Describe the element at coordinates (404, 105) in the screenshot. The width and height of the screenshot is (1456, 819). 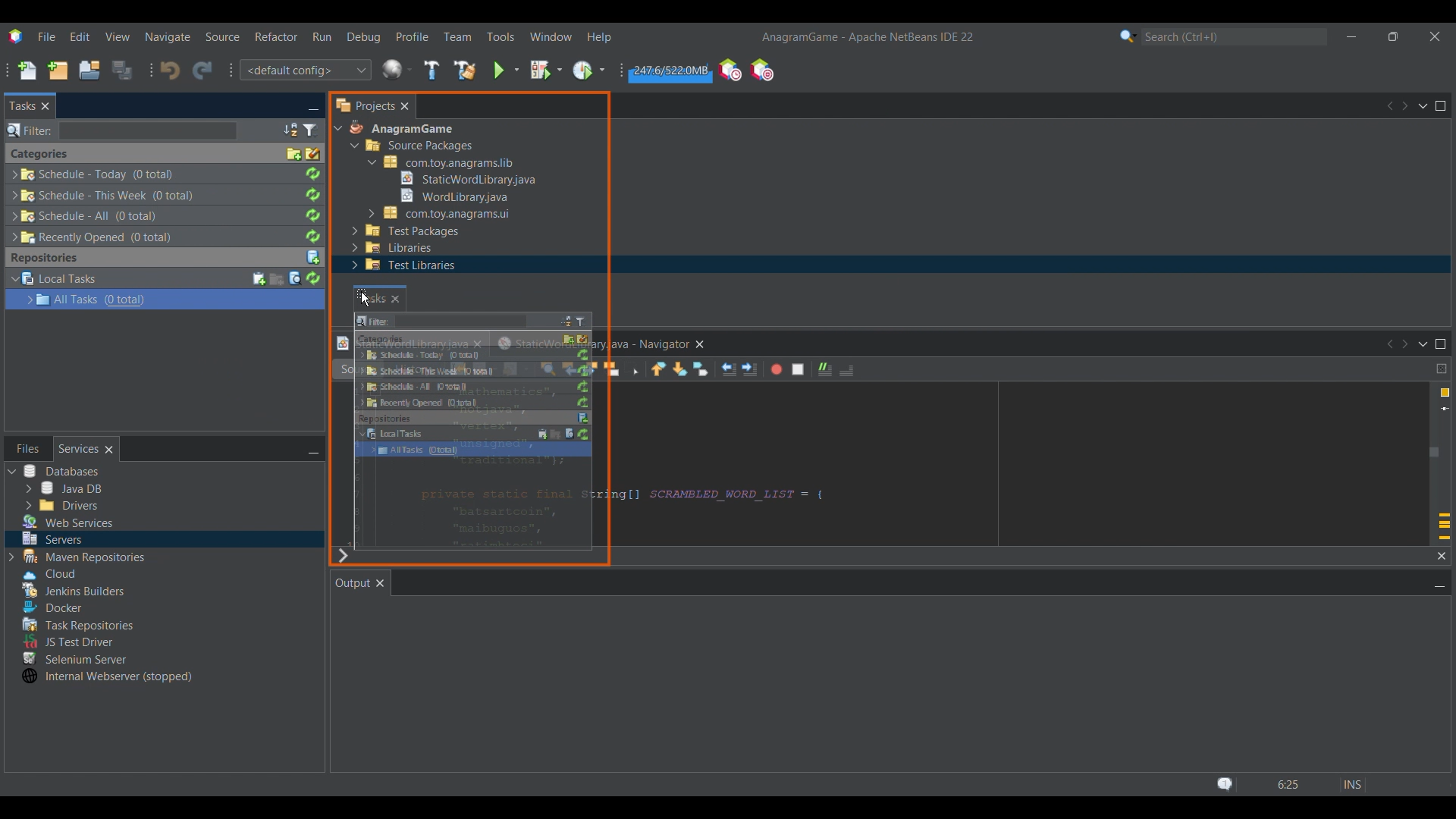
I see `Close` at that location.